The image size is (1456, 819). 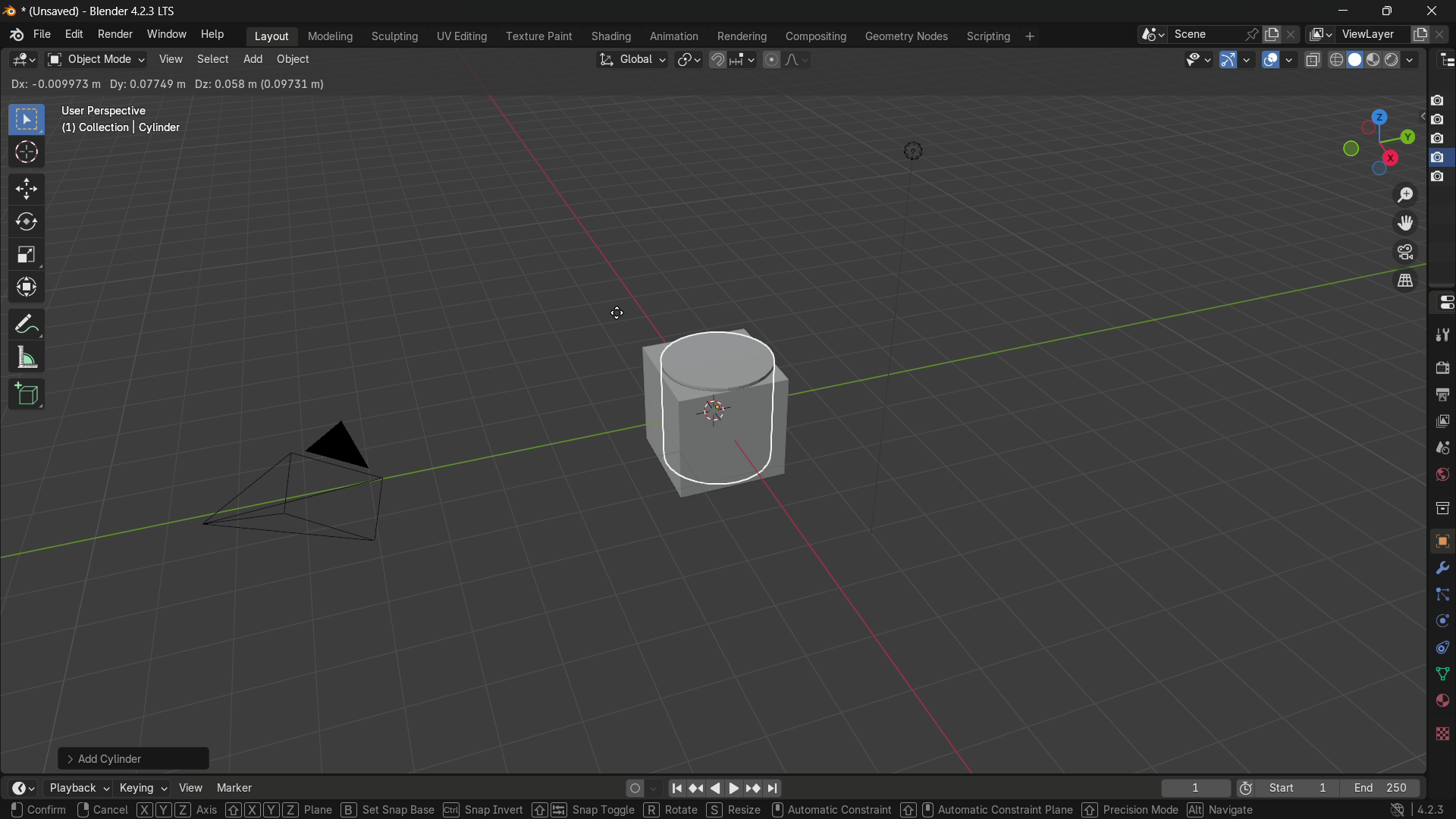 What do you see at coordinates (78, 789) in the screenshot?
I see `playback` at bounding box center [78, 789].